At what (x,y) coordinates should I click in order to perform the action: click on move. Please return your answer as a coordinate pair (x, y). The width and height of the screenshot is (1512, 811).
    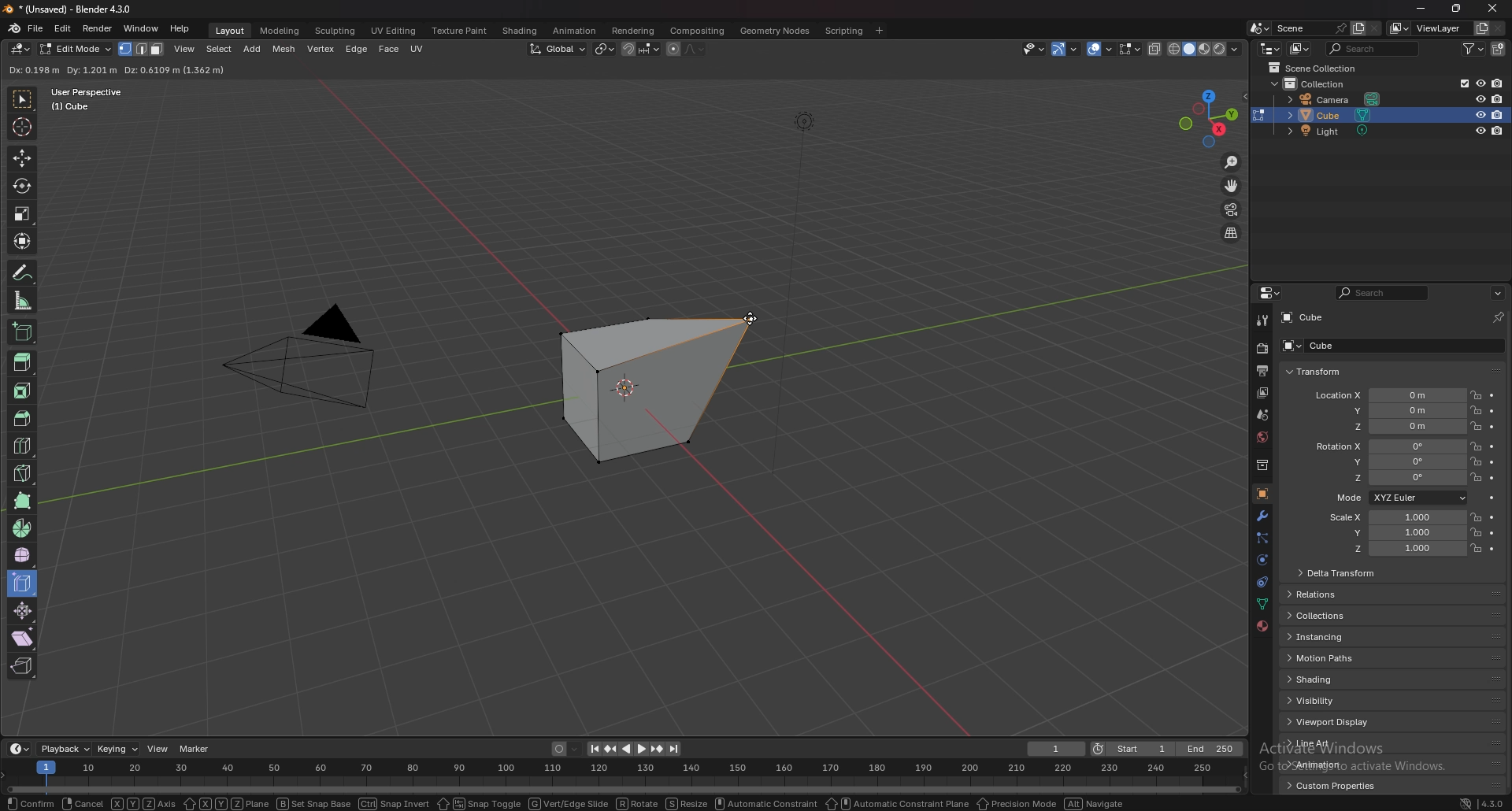
    Looking at the image, I should click on (1232, 184).